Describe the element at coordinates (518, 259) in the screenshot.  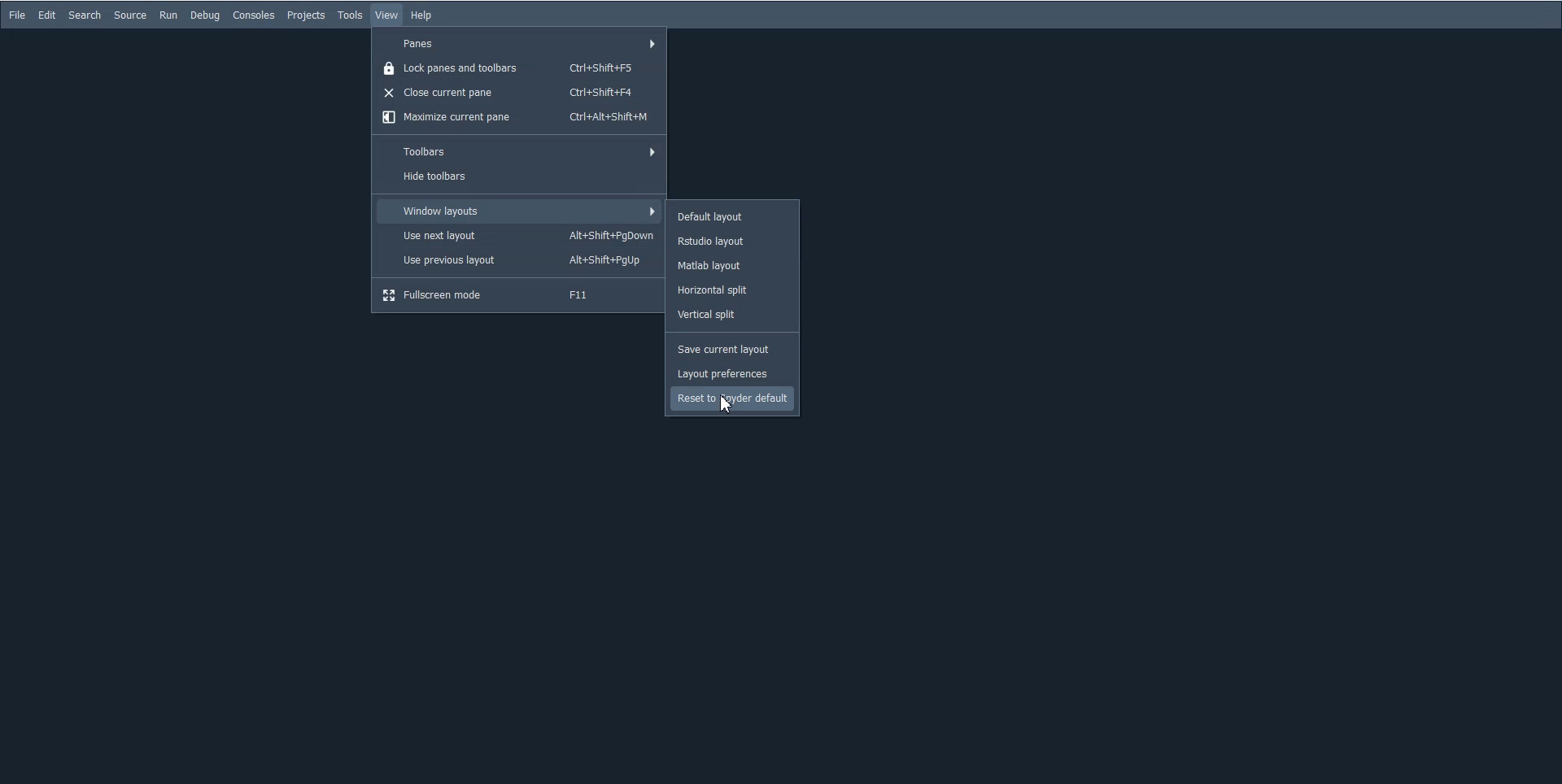
I see `Use previous layout` at that location.